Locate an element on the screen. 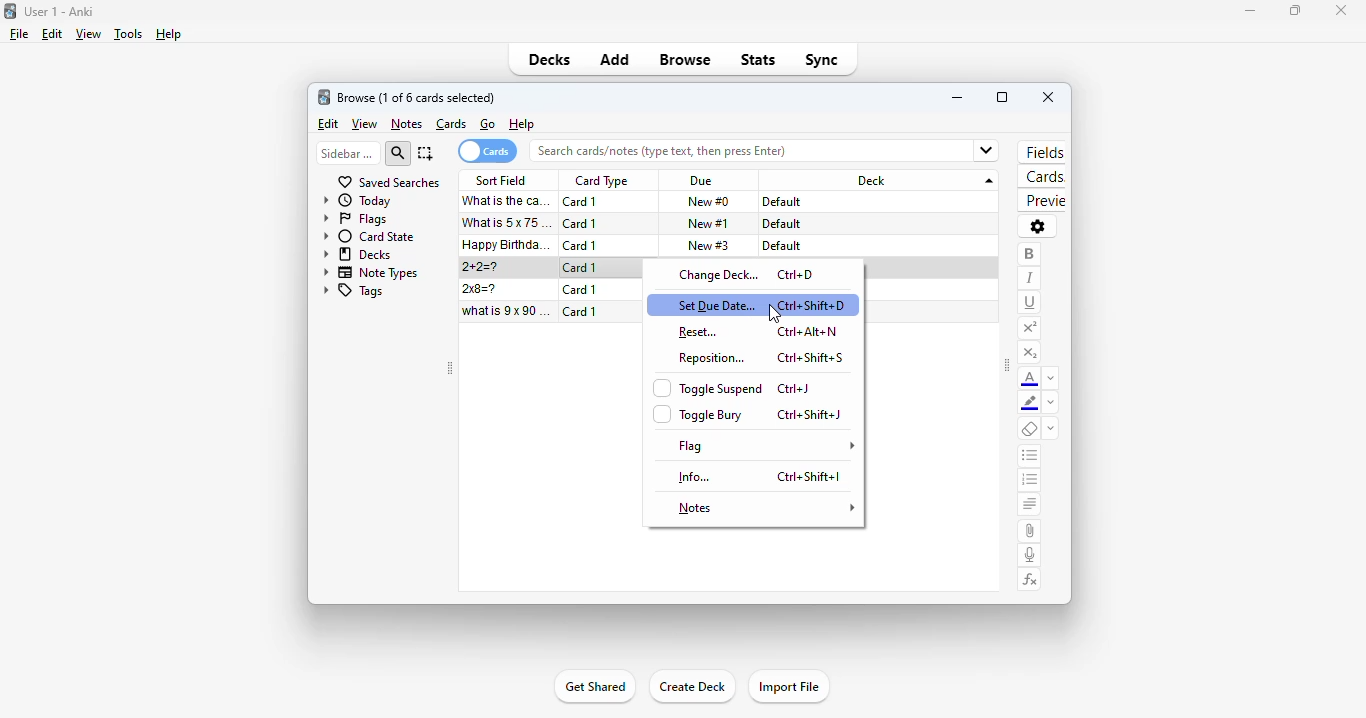  decks is located at coordinates (550, 59).